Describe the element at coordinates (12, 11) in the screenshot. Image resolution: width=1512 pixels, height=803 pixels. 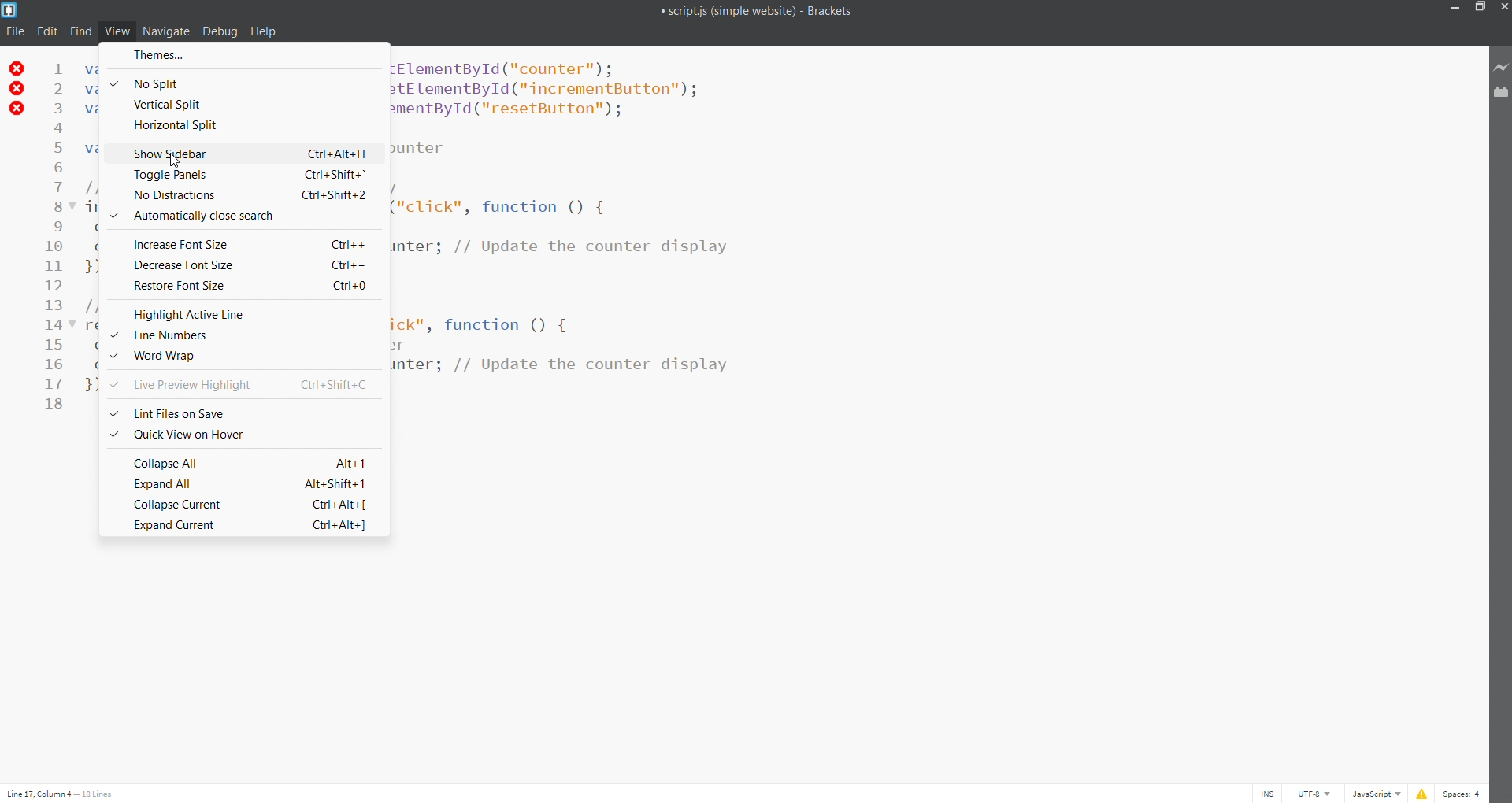
I see `brackets logo` at that location.